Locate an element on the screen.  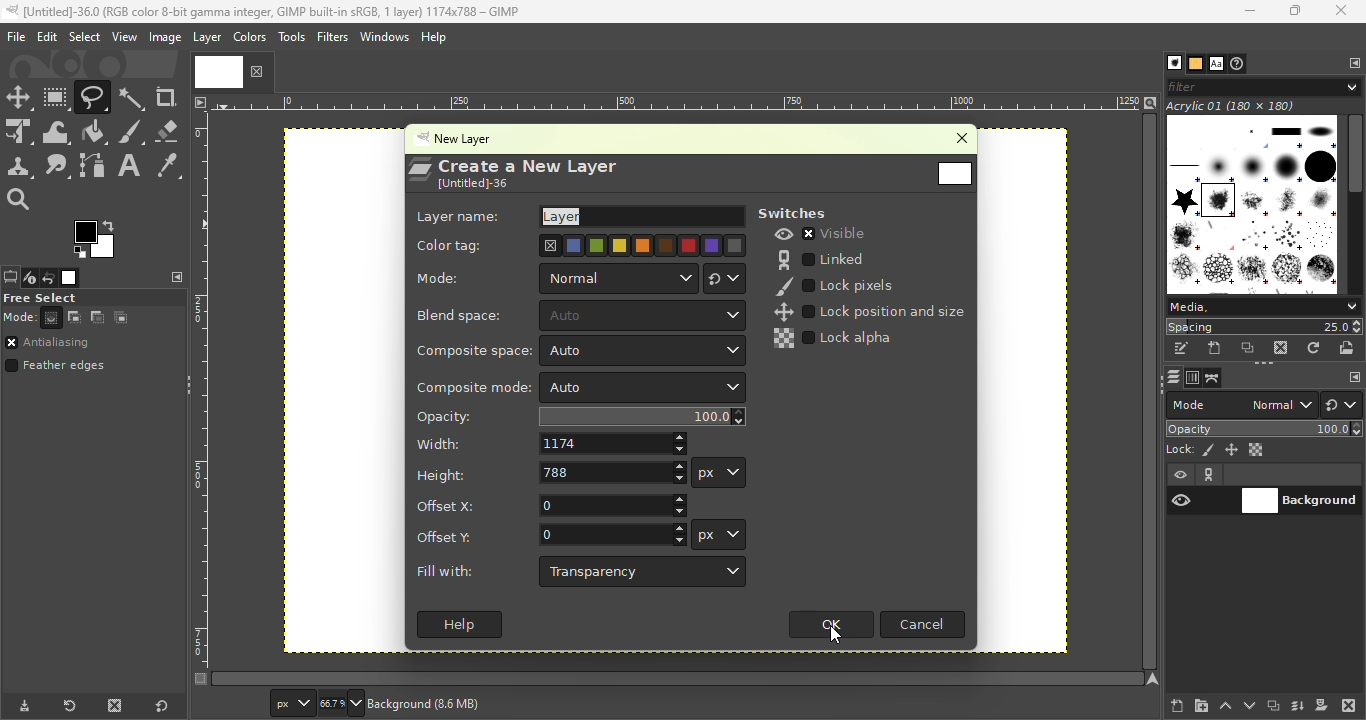
Document history is located at coordinates (1240, 63).